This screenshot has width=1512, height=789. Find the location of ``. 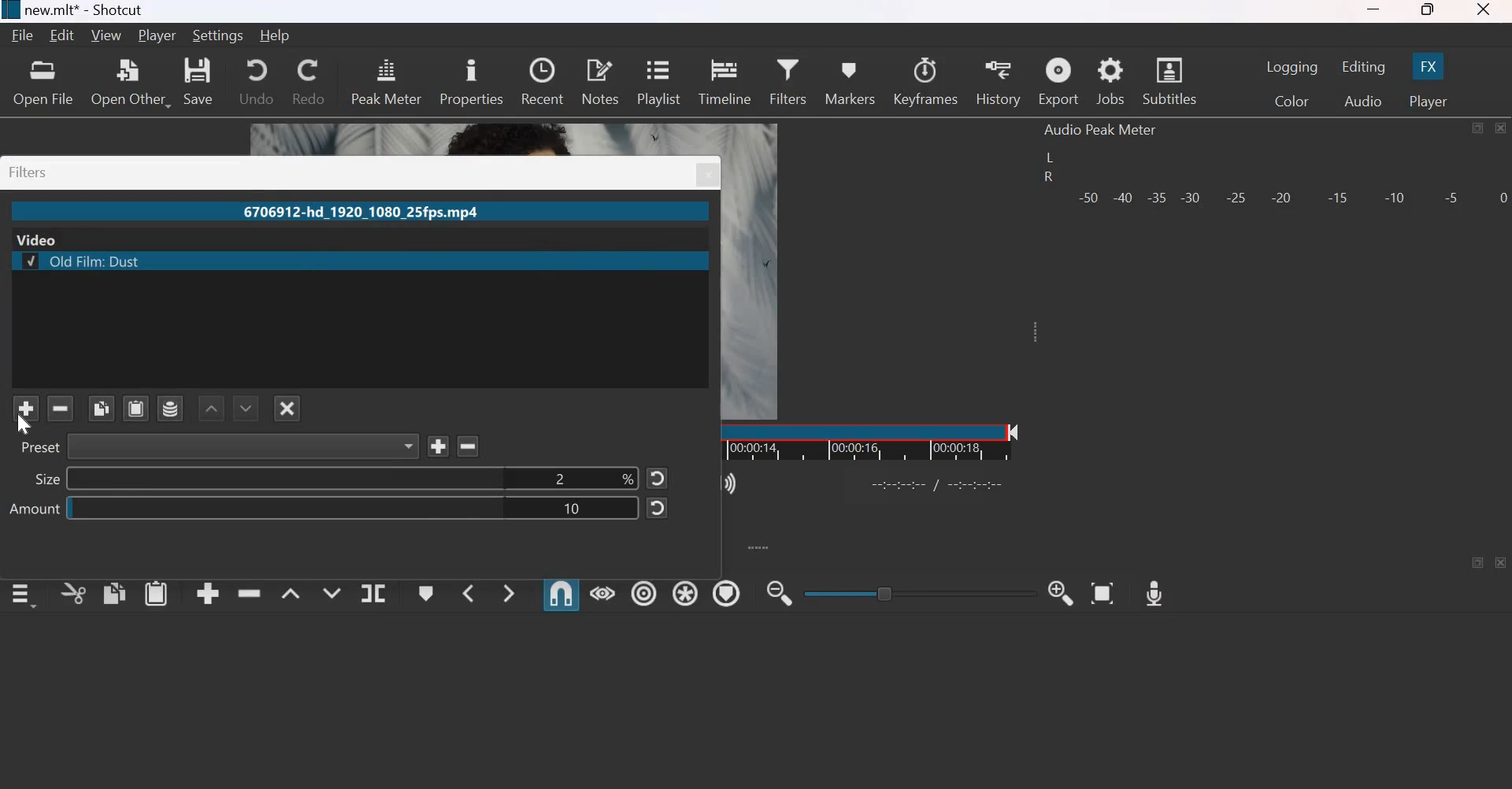

 is located at coordinates (44, 83).